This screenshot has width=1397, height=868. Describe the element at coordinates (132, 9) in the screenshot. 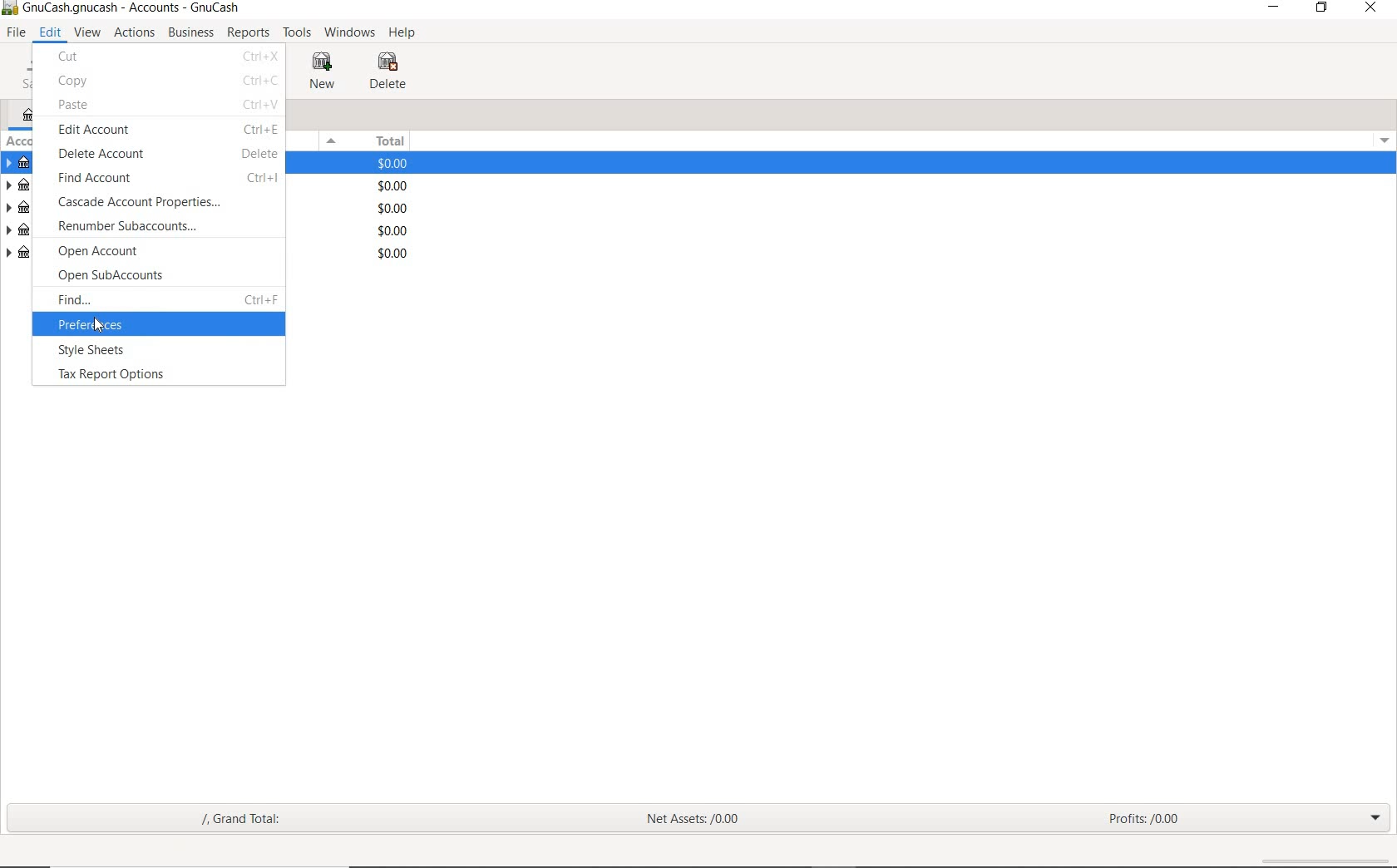

I see `system name` at that location.